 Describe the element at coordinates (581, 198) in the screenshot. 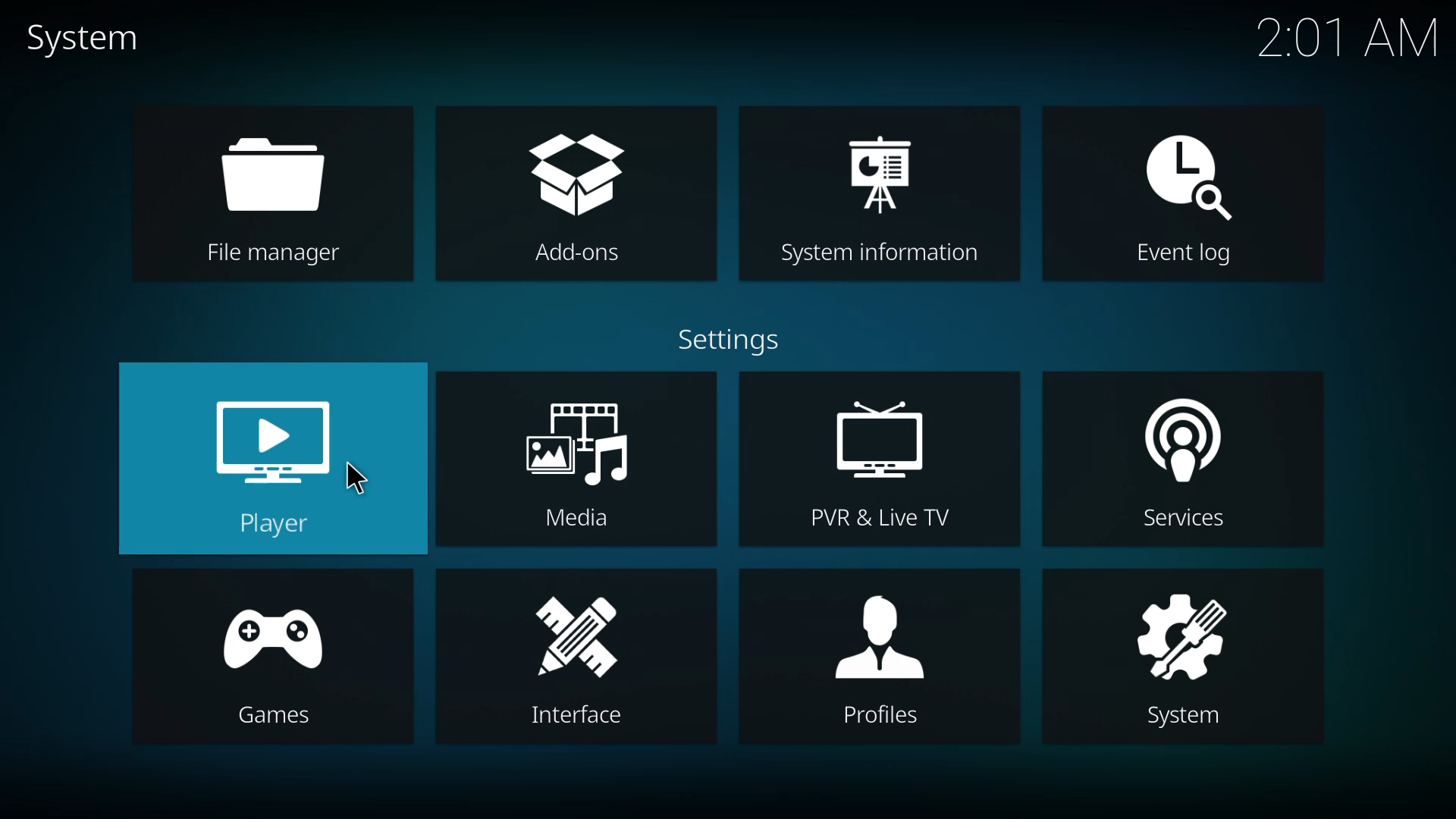

I see `add-ons` at that location.